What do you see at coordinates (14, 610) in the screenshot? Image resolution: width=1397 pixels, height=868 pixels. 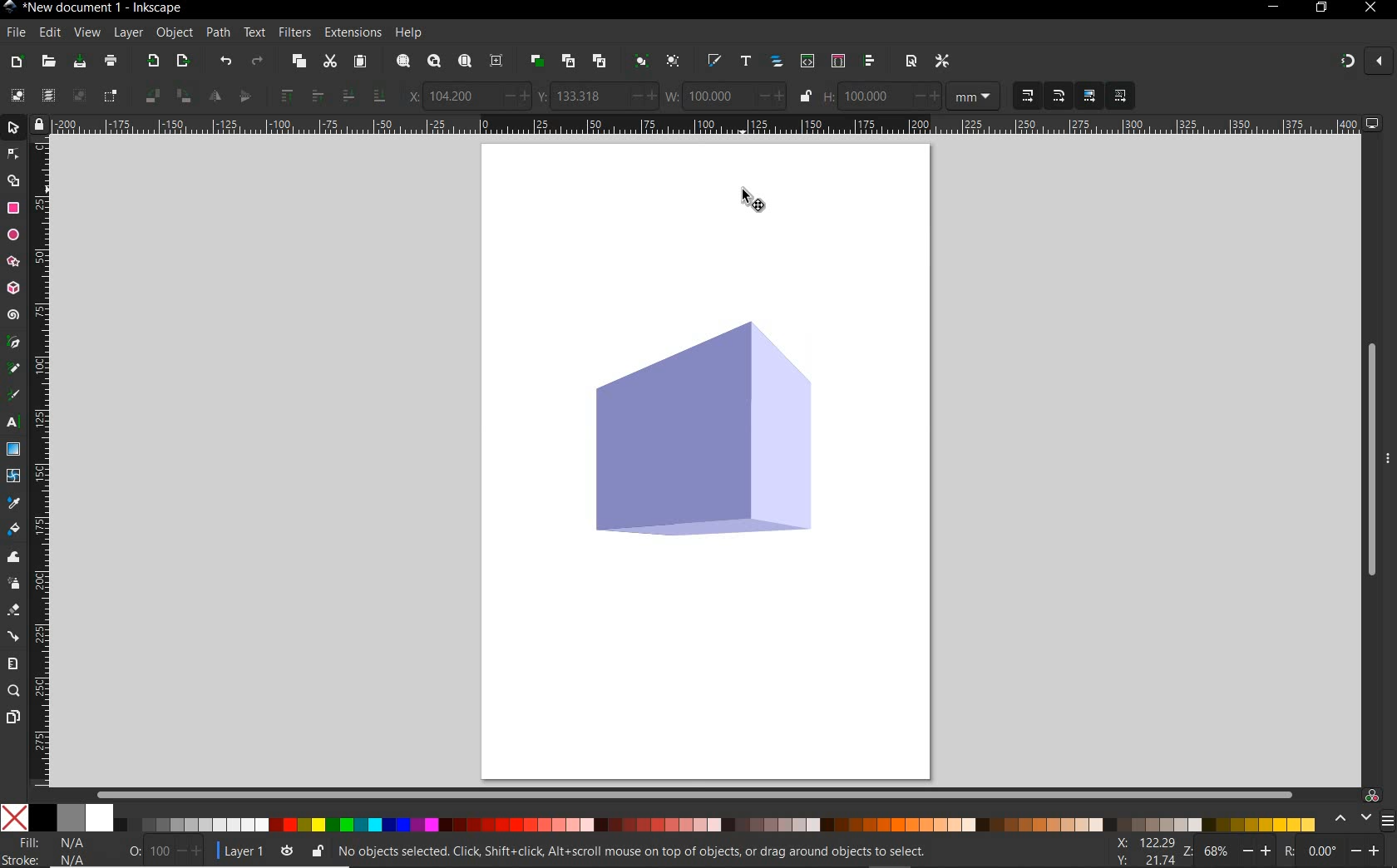 I see `eraser tool` at bounding box center [14, 610].